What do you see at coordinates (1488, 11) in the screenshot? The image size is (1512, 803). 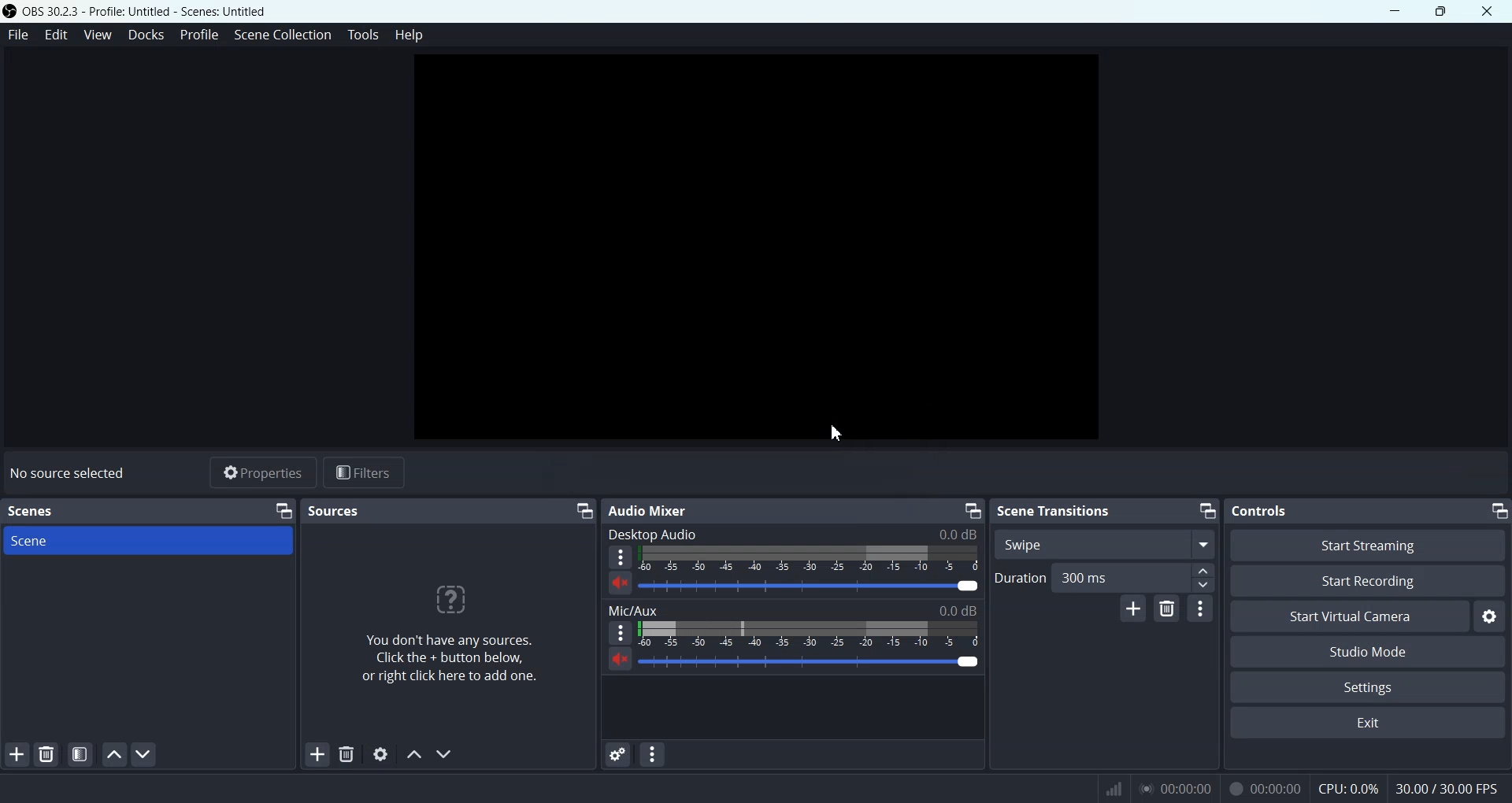 I see `Close` at bounding box center [1488, 11].